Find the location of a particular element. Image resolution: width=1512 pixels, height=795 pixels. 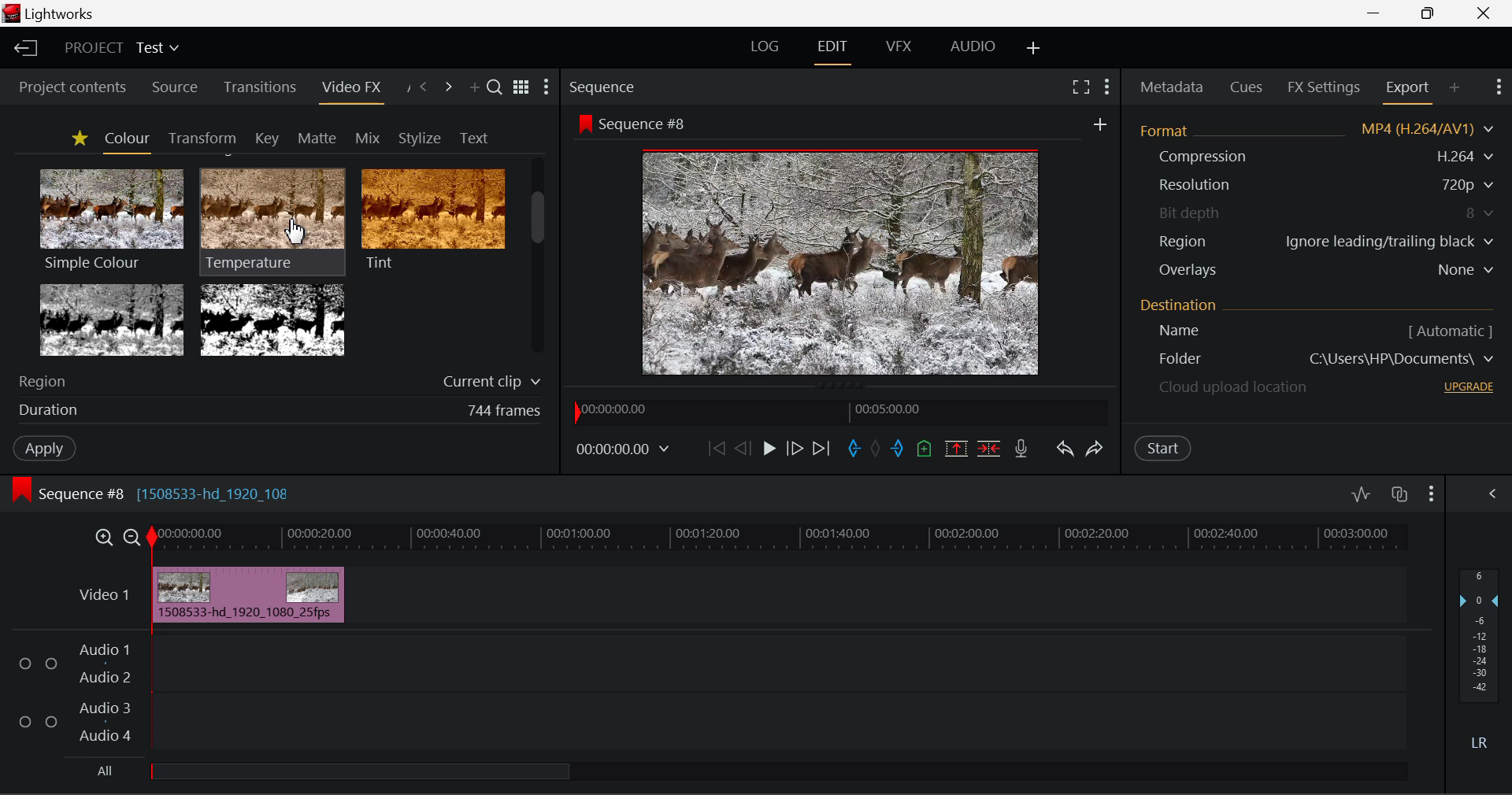

Show Settings is located at coordinates (547, 87).